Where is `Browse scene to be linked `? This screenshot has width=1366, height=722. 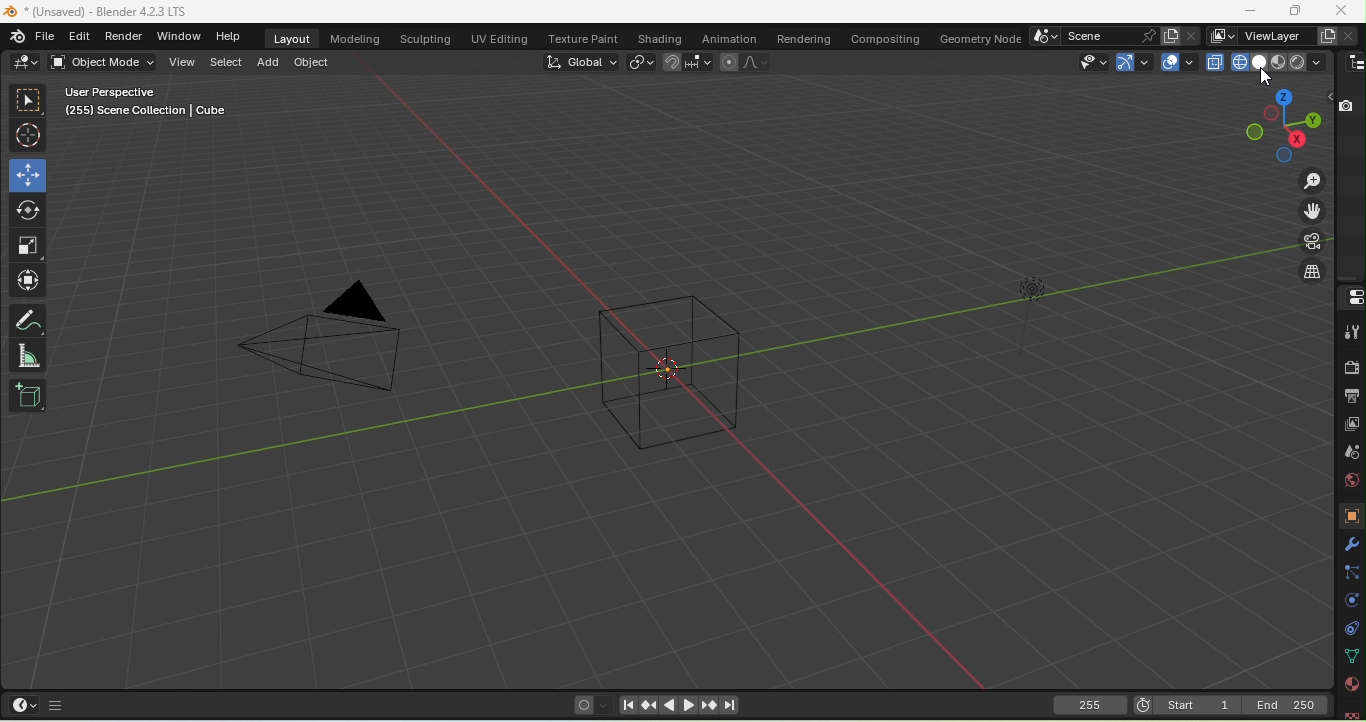
Browse scene to be linked  is located at coordinates (1046, 36).